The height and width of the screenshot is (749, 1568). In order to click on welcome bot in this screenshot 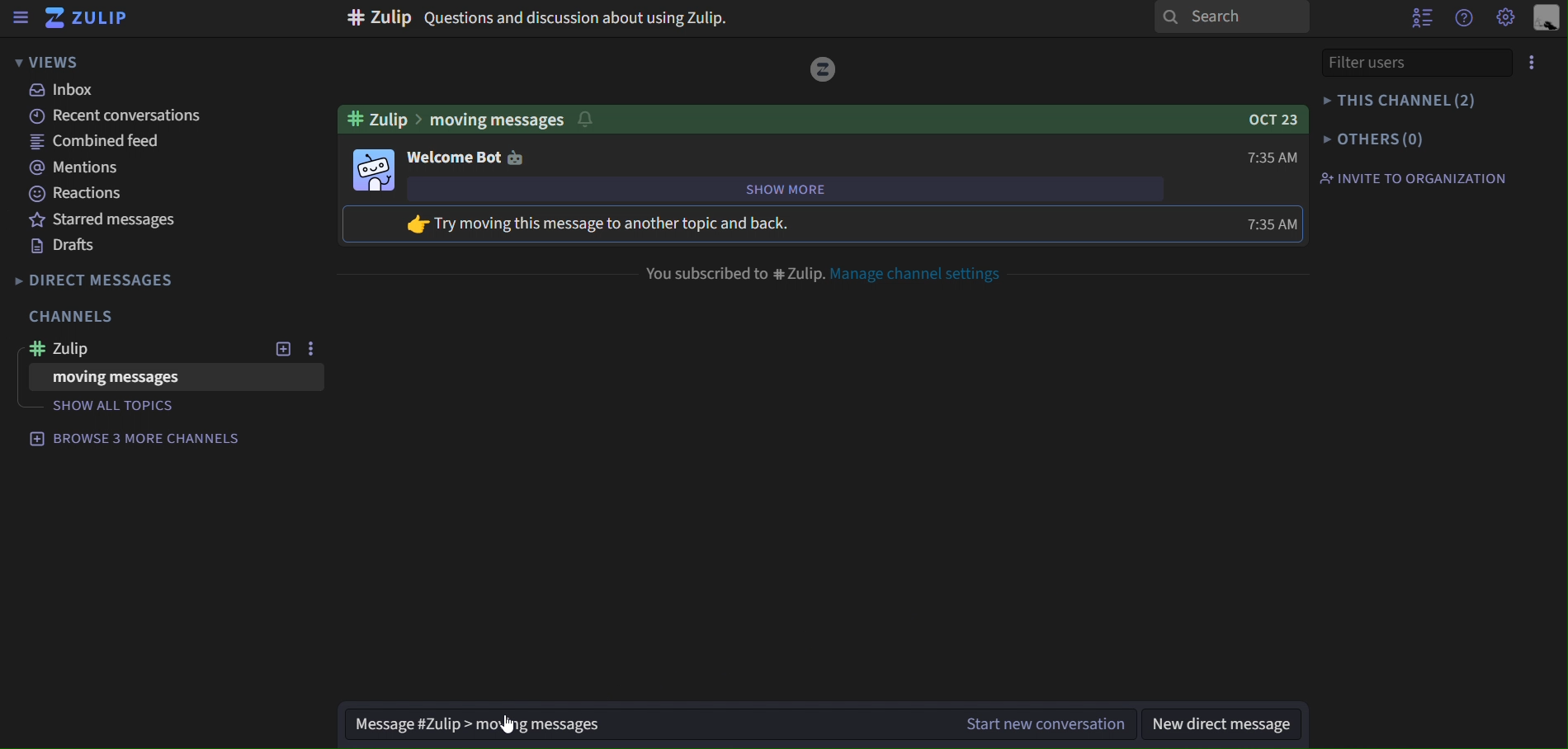, I will do `click(465, 156)`.